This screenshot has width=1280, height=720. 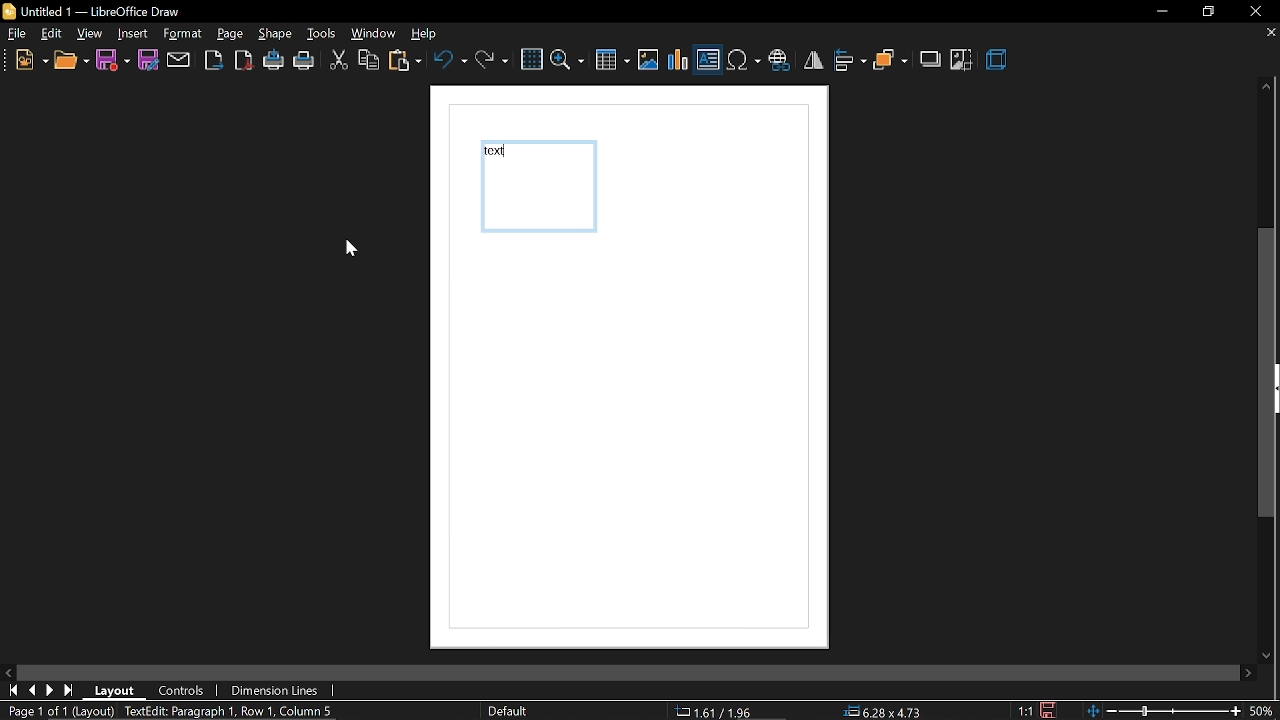 What do you see at coordinates (369, 62) in the screenshot?
I see `copy` at bounding box center [369, 62].